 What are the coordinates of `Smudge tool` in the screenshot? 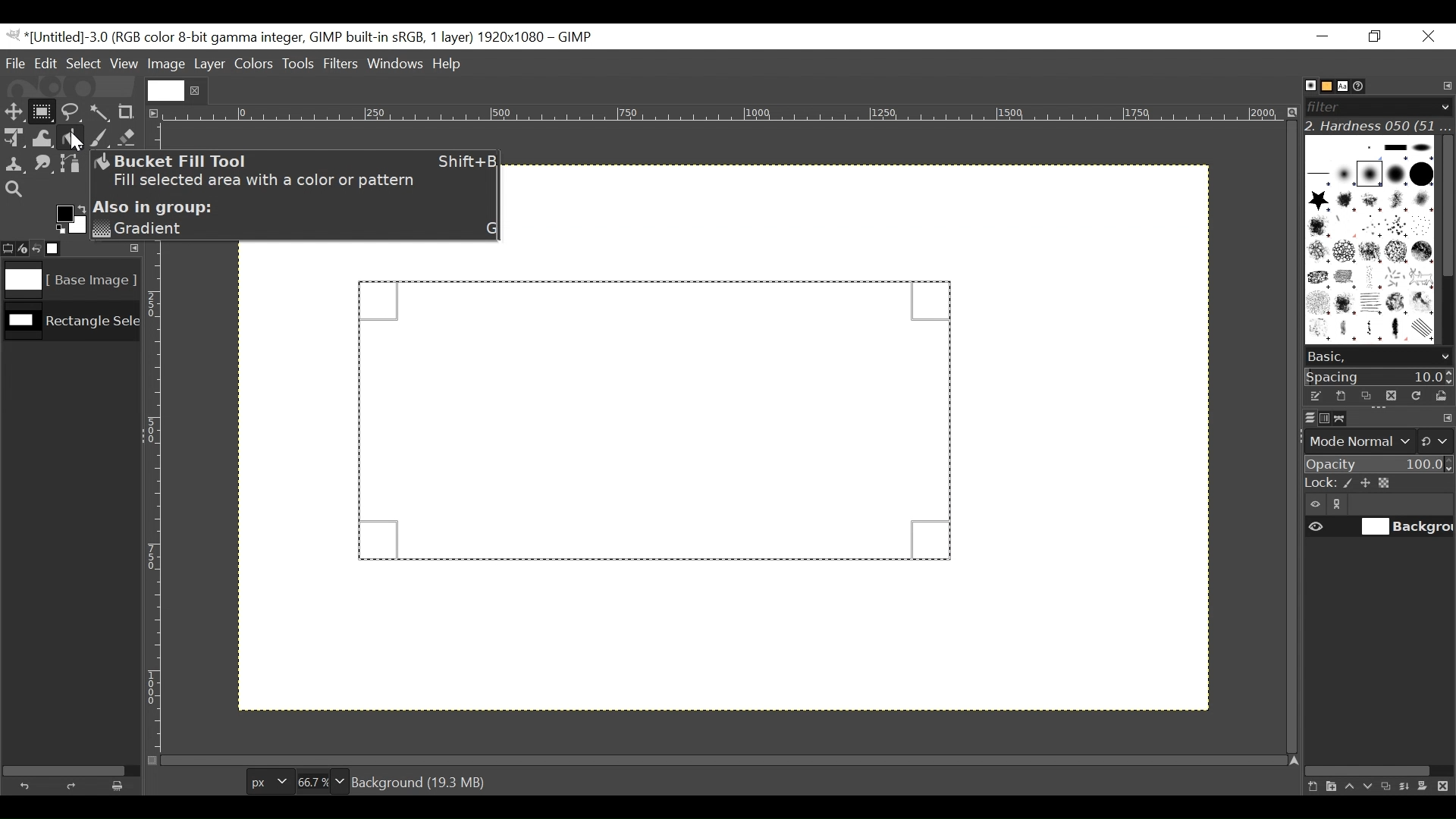 It's located at (45, 165).